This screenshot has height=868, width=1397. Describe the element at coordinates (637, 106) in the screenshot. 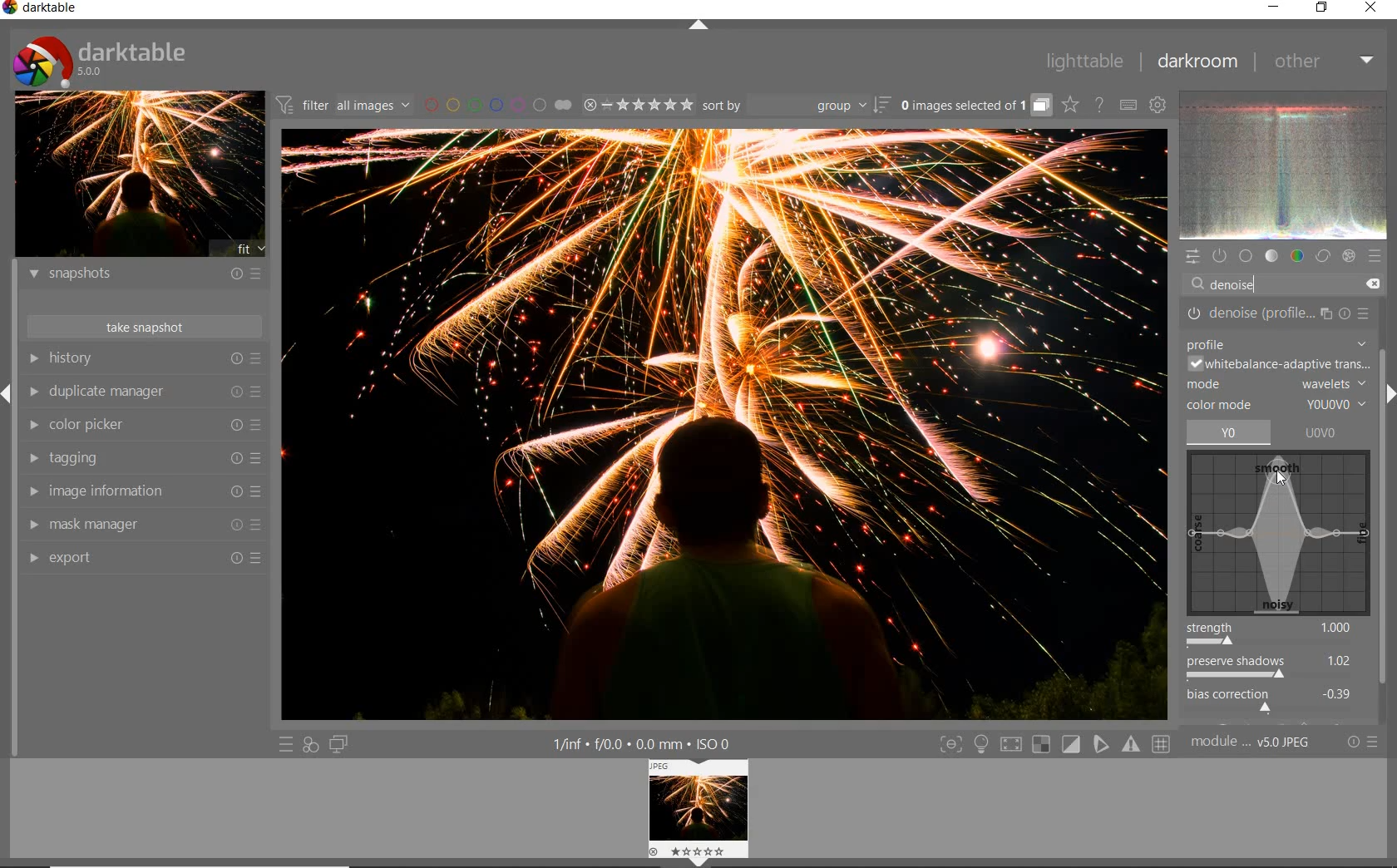

I see `range ratings for selected images` at that location.